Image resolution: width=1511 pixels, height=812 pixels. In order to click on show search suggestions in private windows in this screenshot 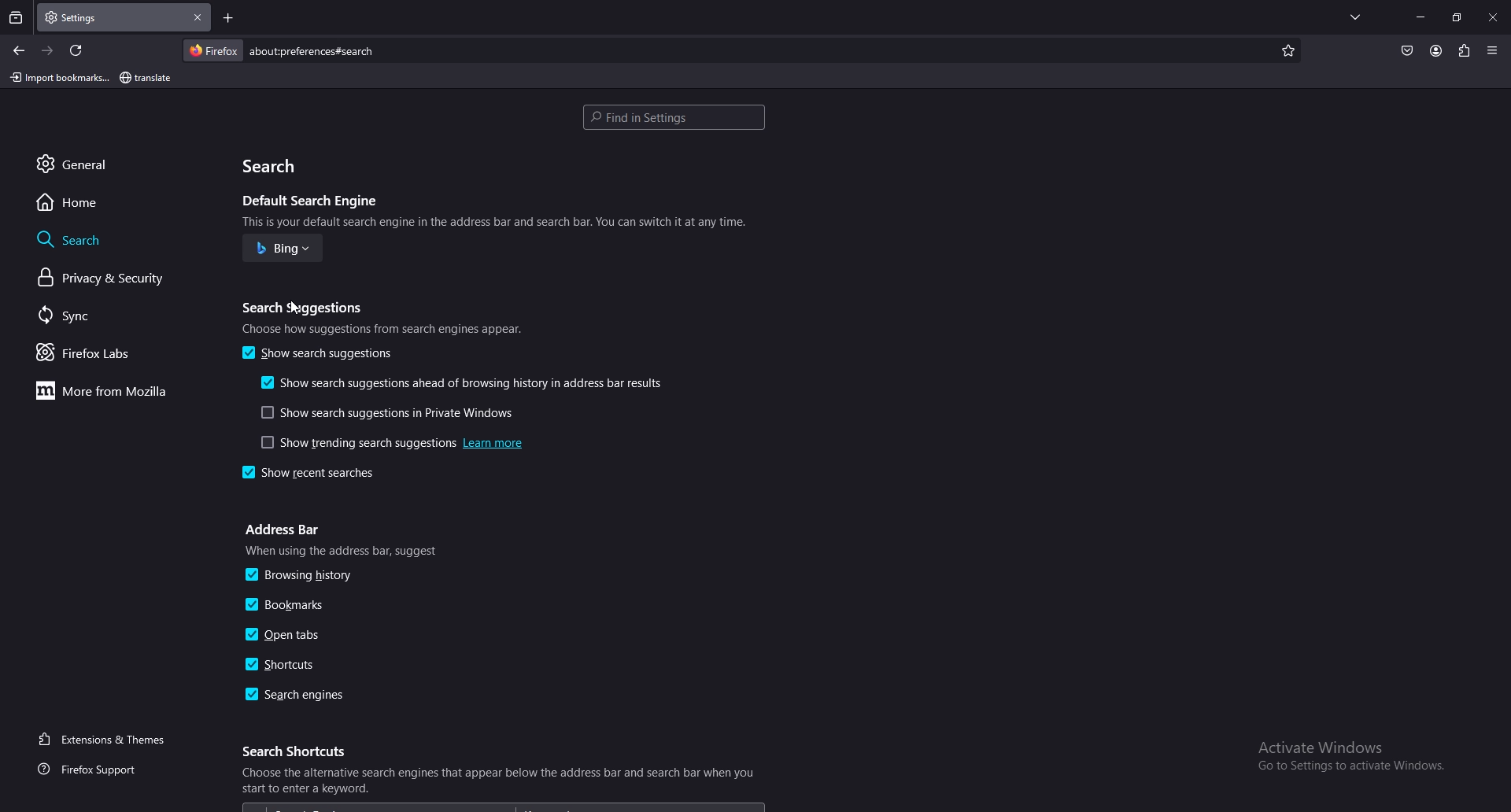, I will do `click(388, 412)`.